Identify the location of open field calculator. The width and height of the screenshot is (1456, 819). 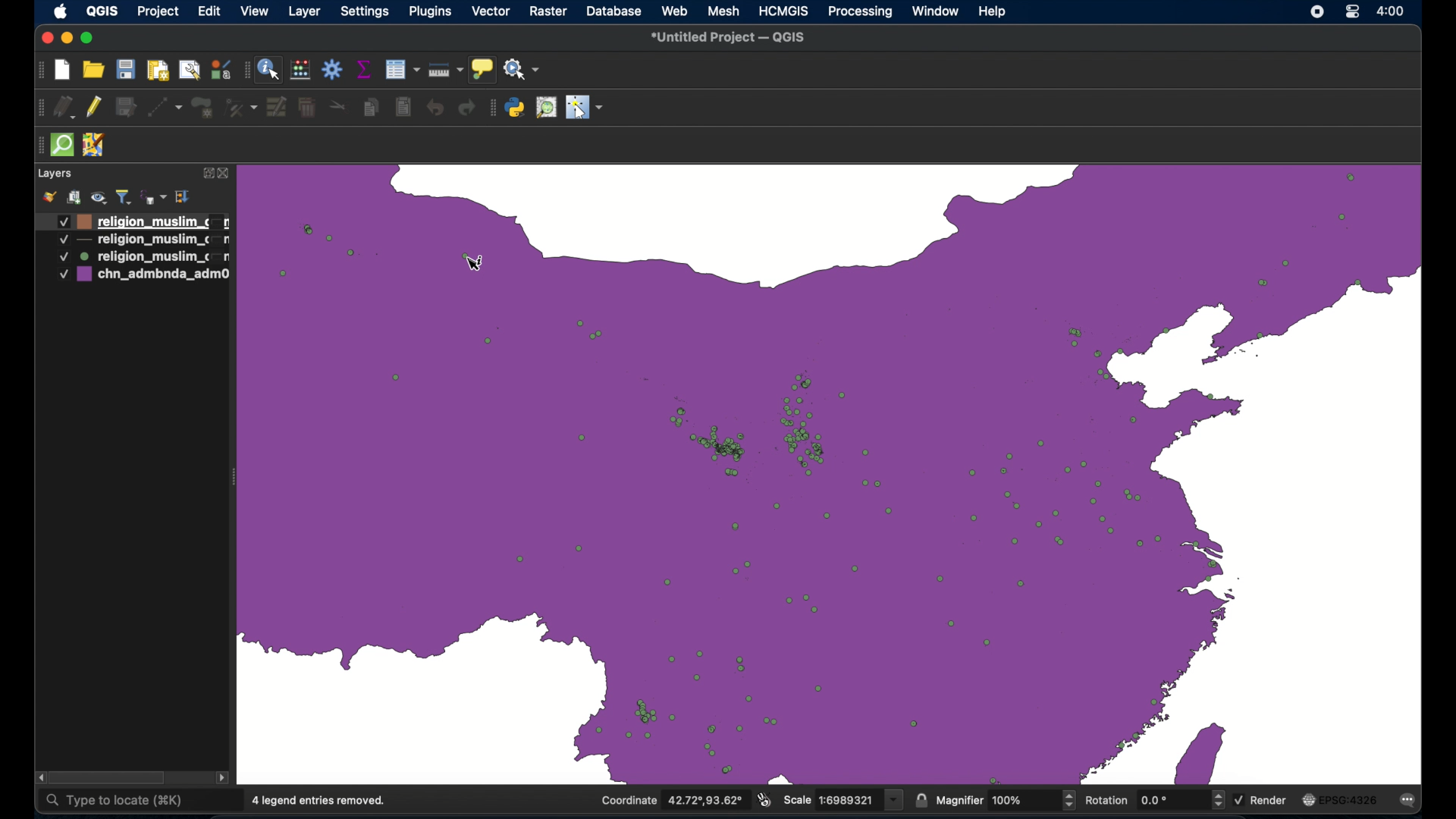
(300, 70).